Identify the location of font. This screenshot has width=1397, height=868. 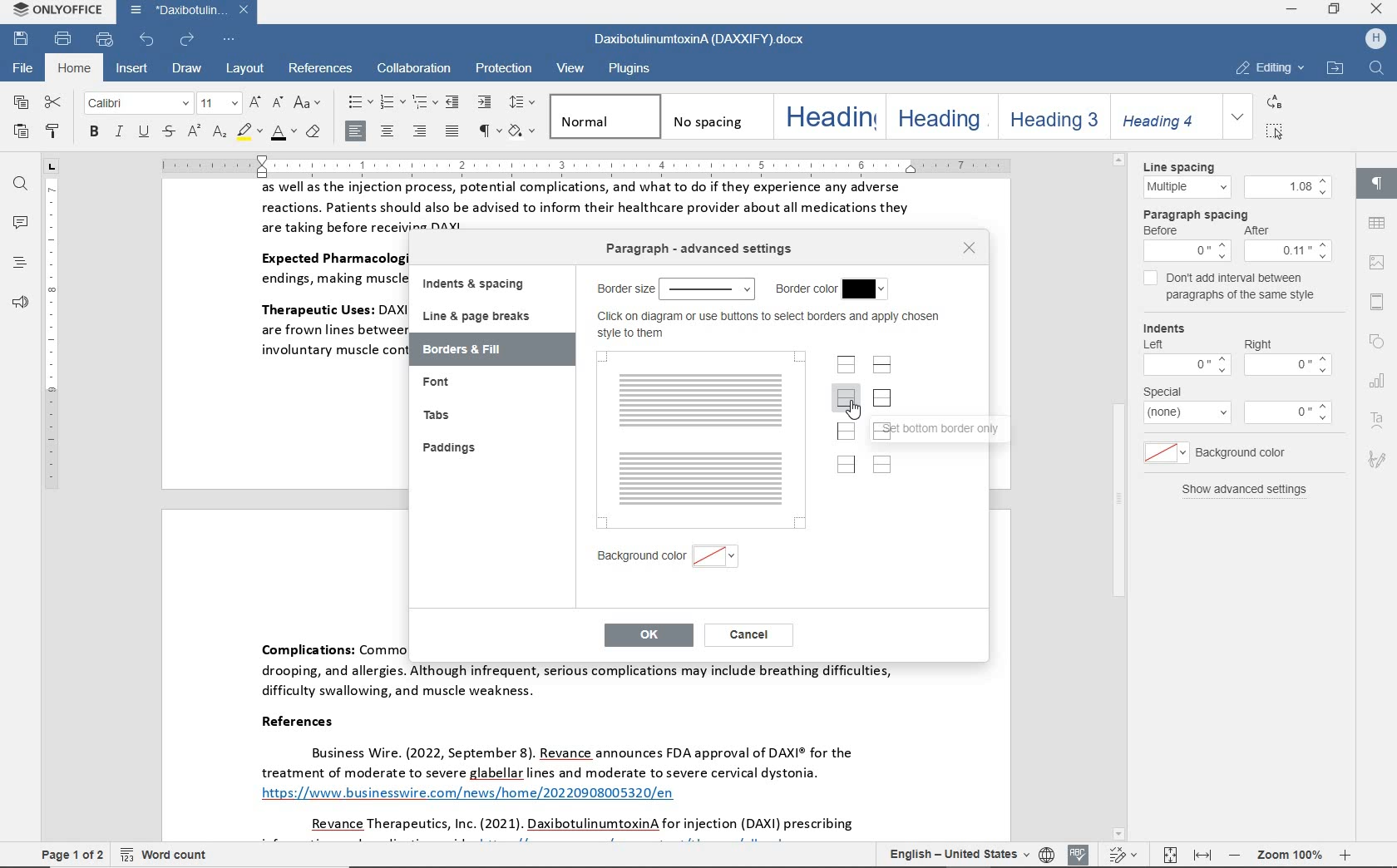
(440, 383).